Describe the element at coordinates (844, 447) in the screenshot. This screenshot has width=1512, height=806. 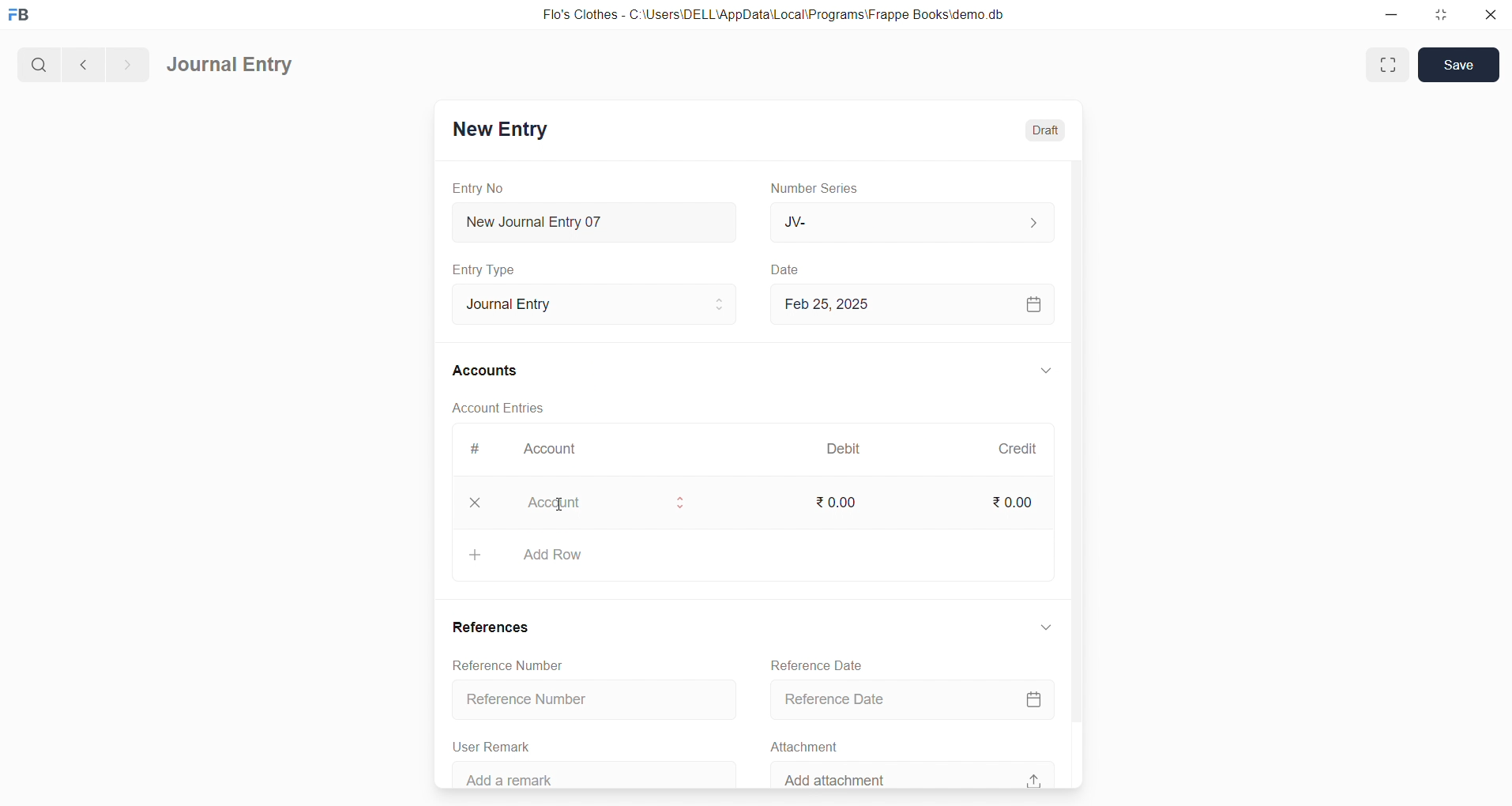
I see `Debit` at that location.